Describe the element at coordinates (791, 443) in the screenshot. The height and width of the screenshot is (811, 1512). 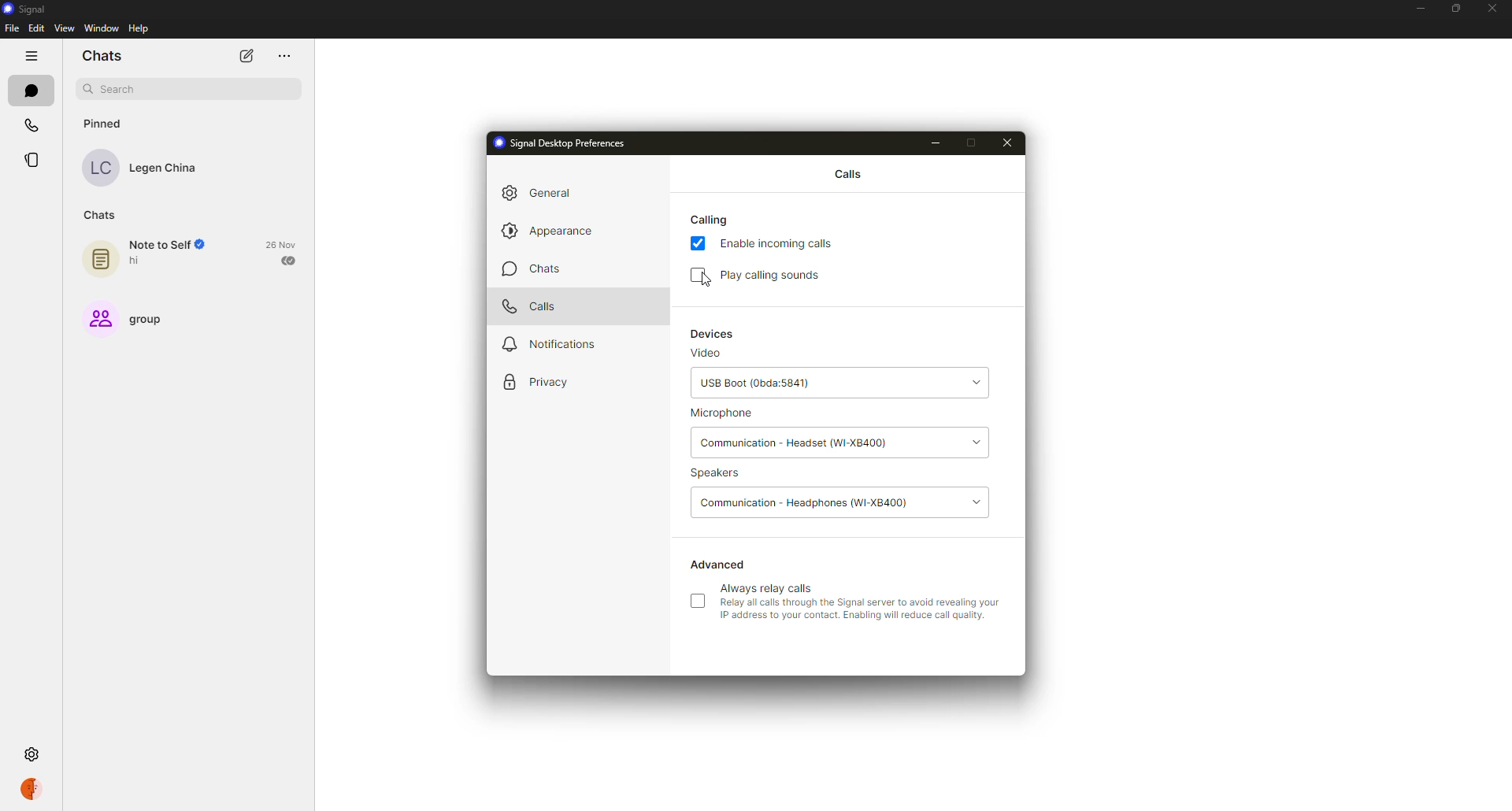
I see `headset` at that location.